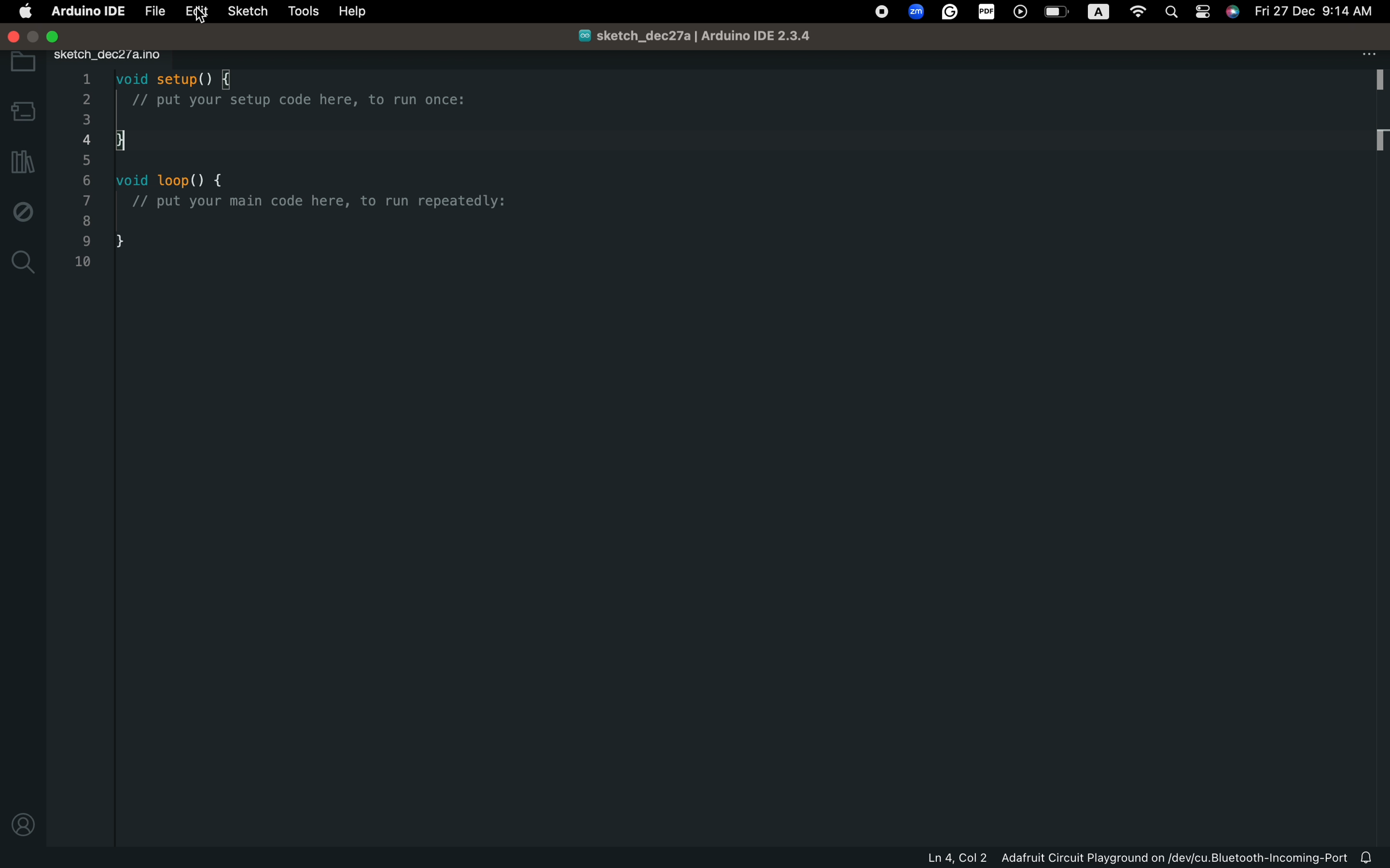  I want to click on library  manager, so click(20, 161).